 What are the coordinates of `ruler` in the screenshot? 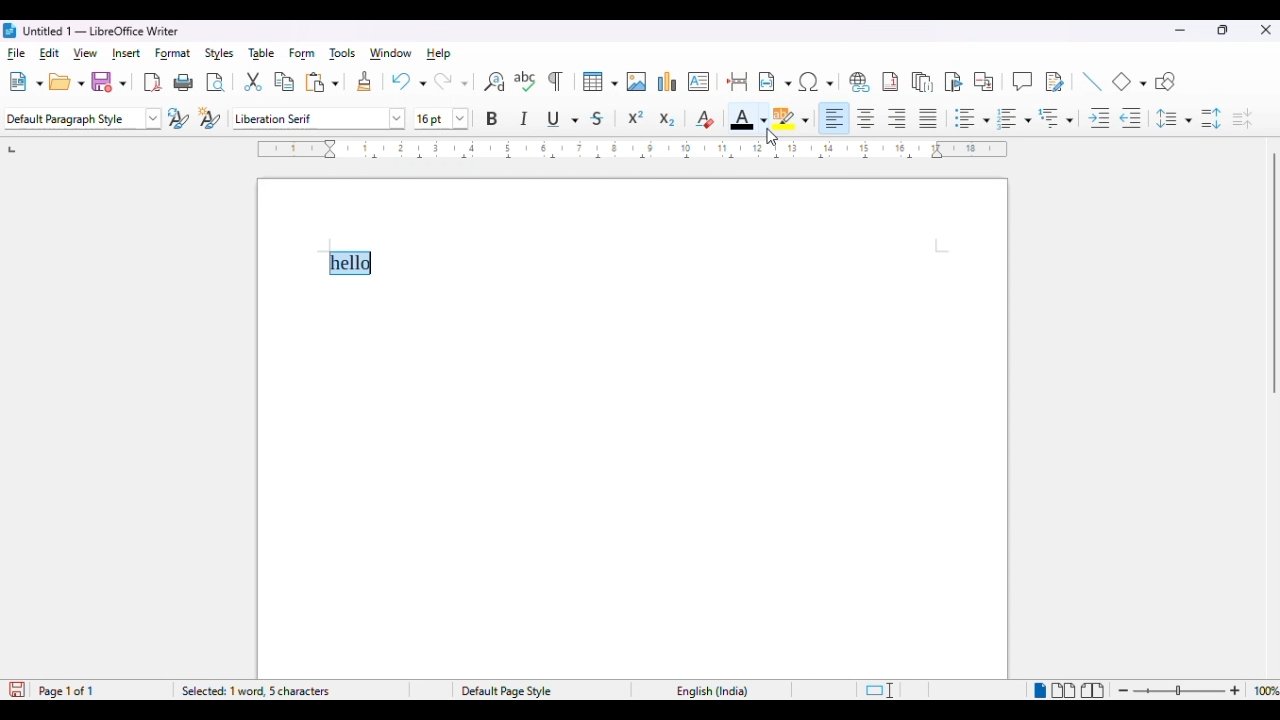 It's located at (630, 149).